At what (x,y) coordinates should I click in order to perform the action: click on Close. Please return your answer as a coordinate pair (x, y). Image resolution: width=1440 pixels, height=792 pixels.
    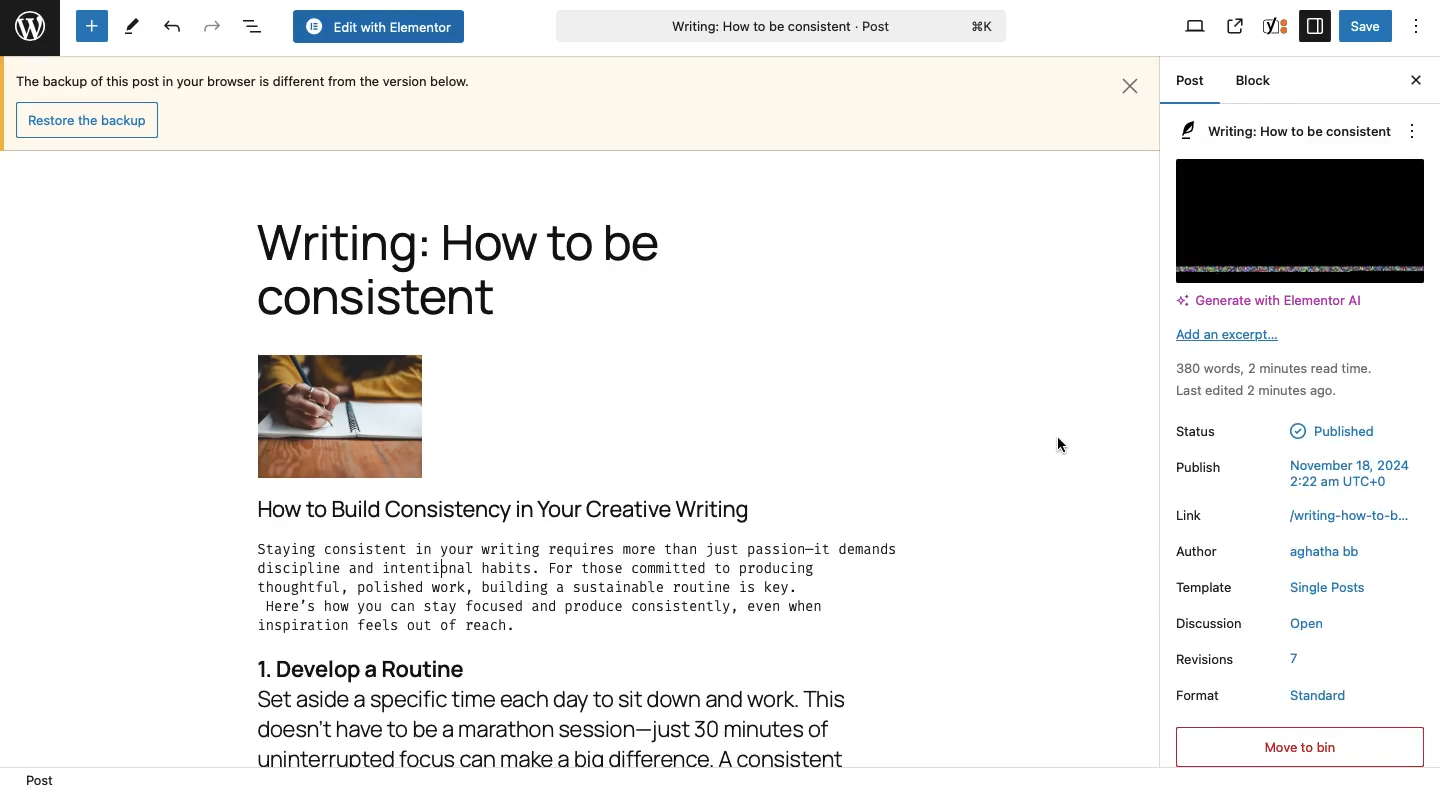
    Looking at the image, I should click on (1412, 80).